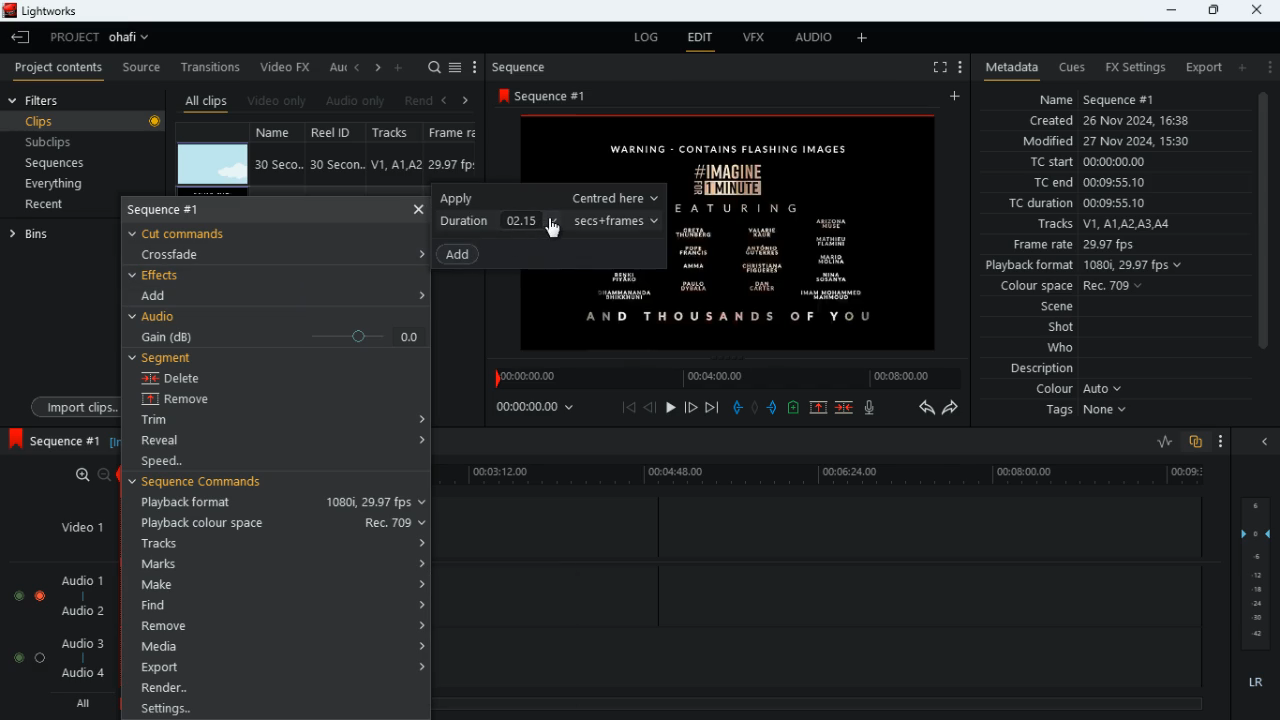 The image size is (1280, 720). What do you see at coordinates (525, 67) in the screenshot?
I see `sequence` at bounding box center [525, 67].